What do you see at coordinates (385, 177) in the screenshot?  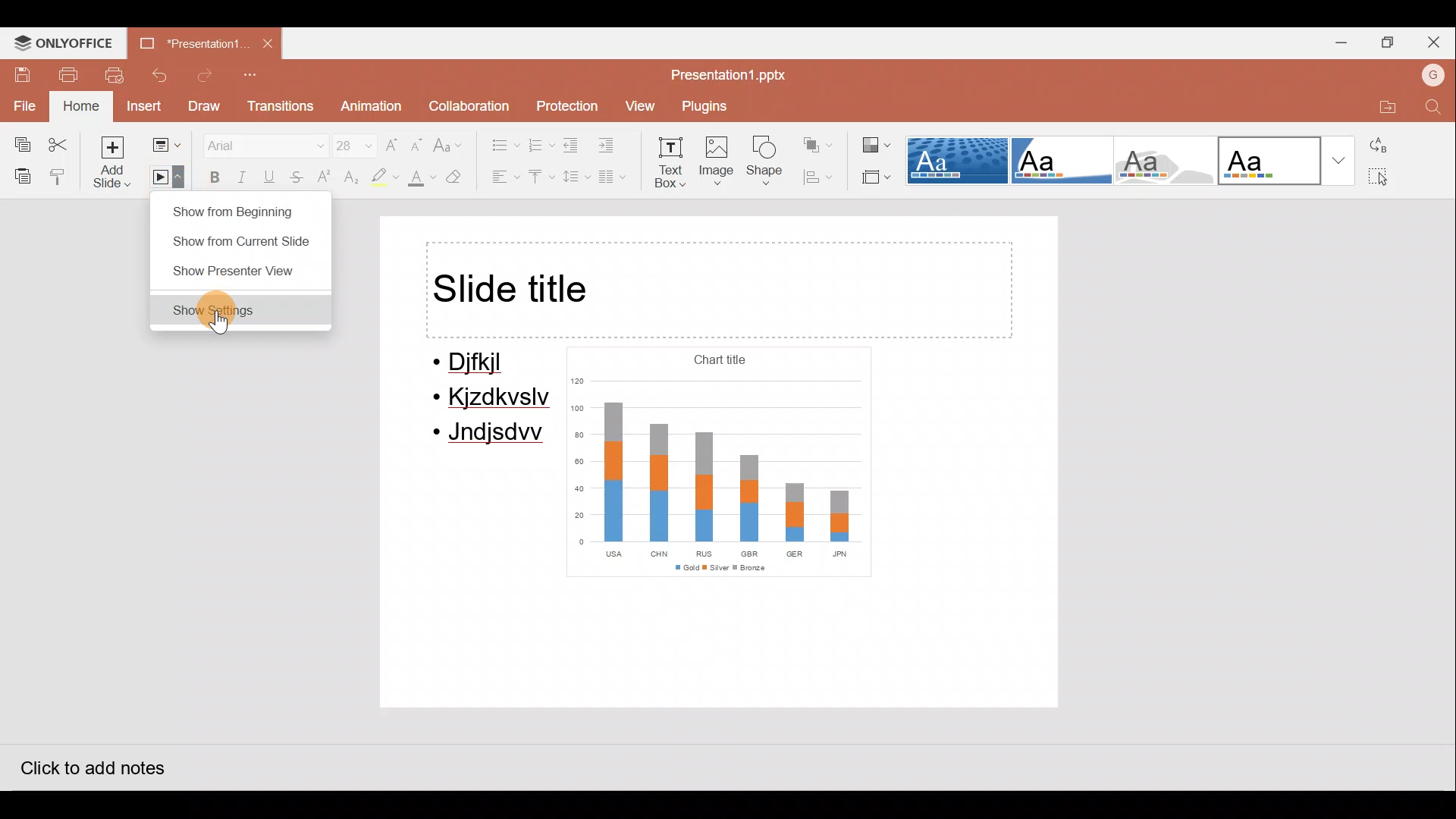 I see `Highlight colour` at bounding box center [385, 177].